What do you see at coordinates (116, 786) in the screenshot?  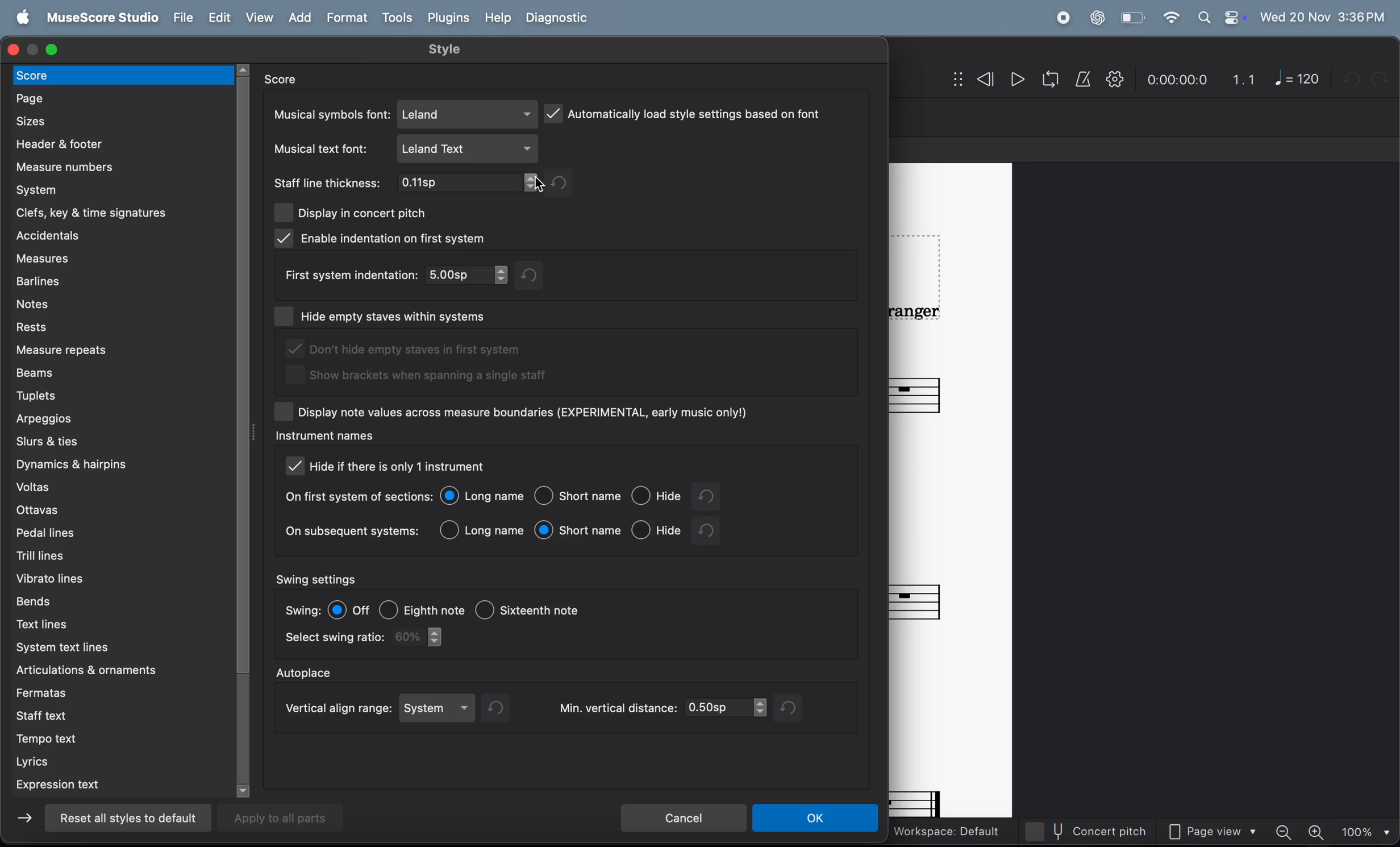 I see `expression text` at bounding box center [116, 786].